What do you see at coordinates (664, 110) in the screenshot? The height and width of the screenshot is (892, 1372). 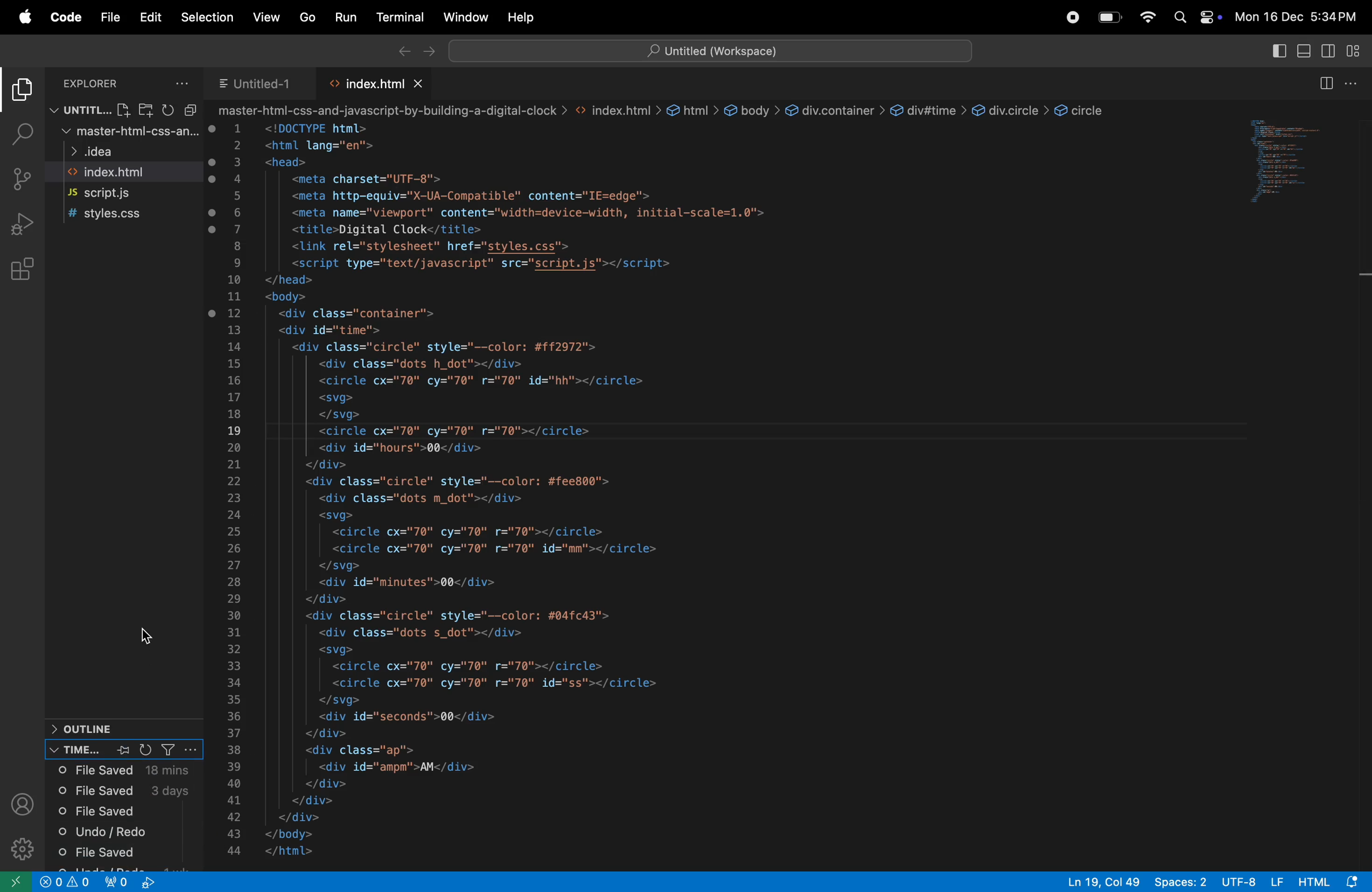 I see `master-html-css-and-javascript-by-building-a-digital-clock > <> index.html > & html > € body > & div.container > & div#time > & div.circle > & circle` at bounding box center [664, 110].